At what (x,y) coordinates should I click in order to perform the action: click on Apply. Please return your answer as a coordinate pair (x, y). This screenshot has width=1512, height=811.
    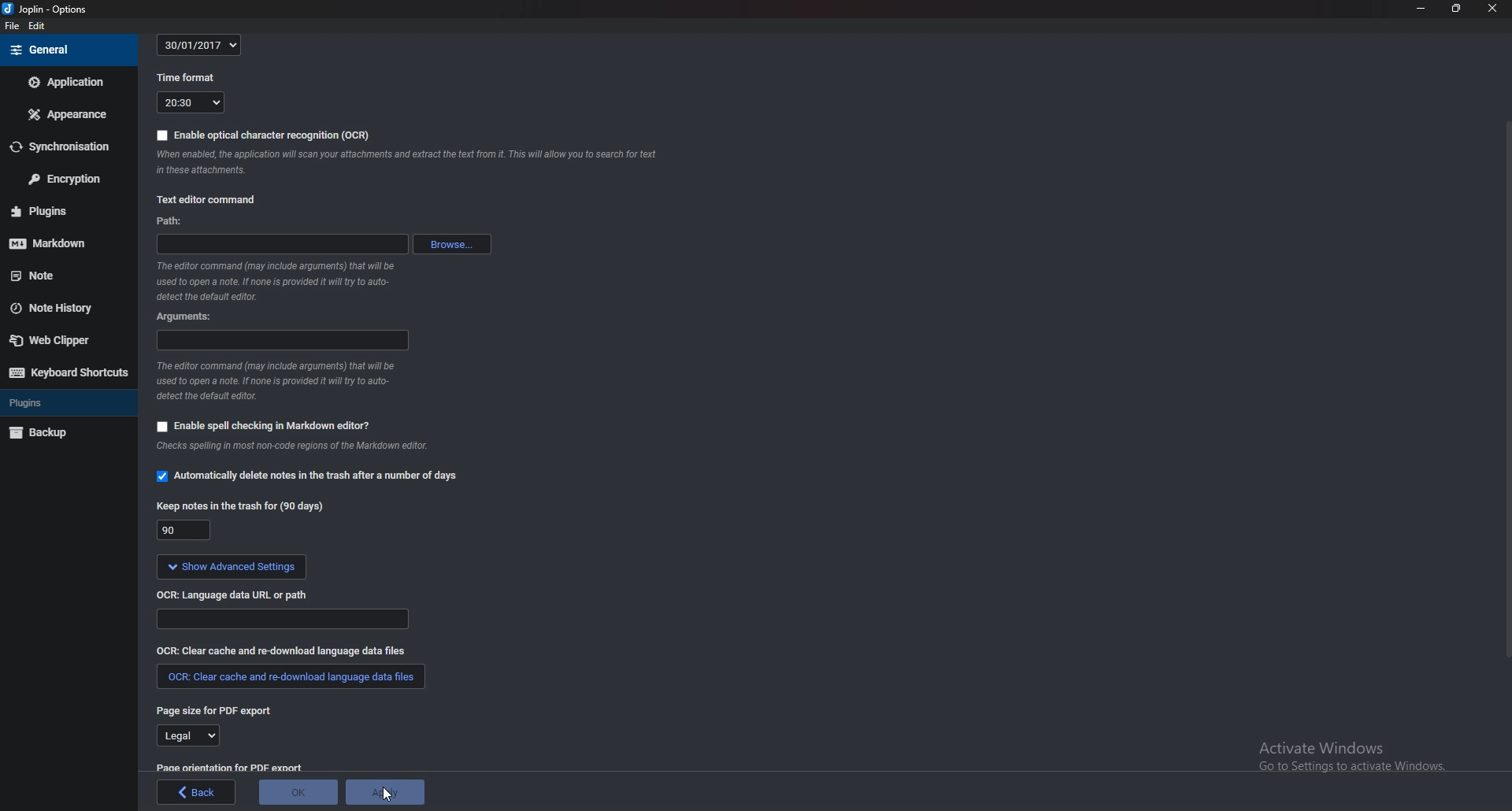
    Looking at the image, I should click on (385, 791).